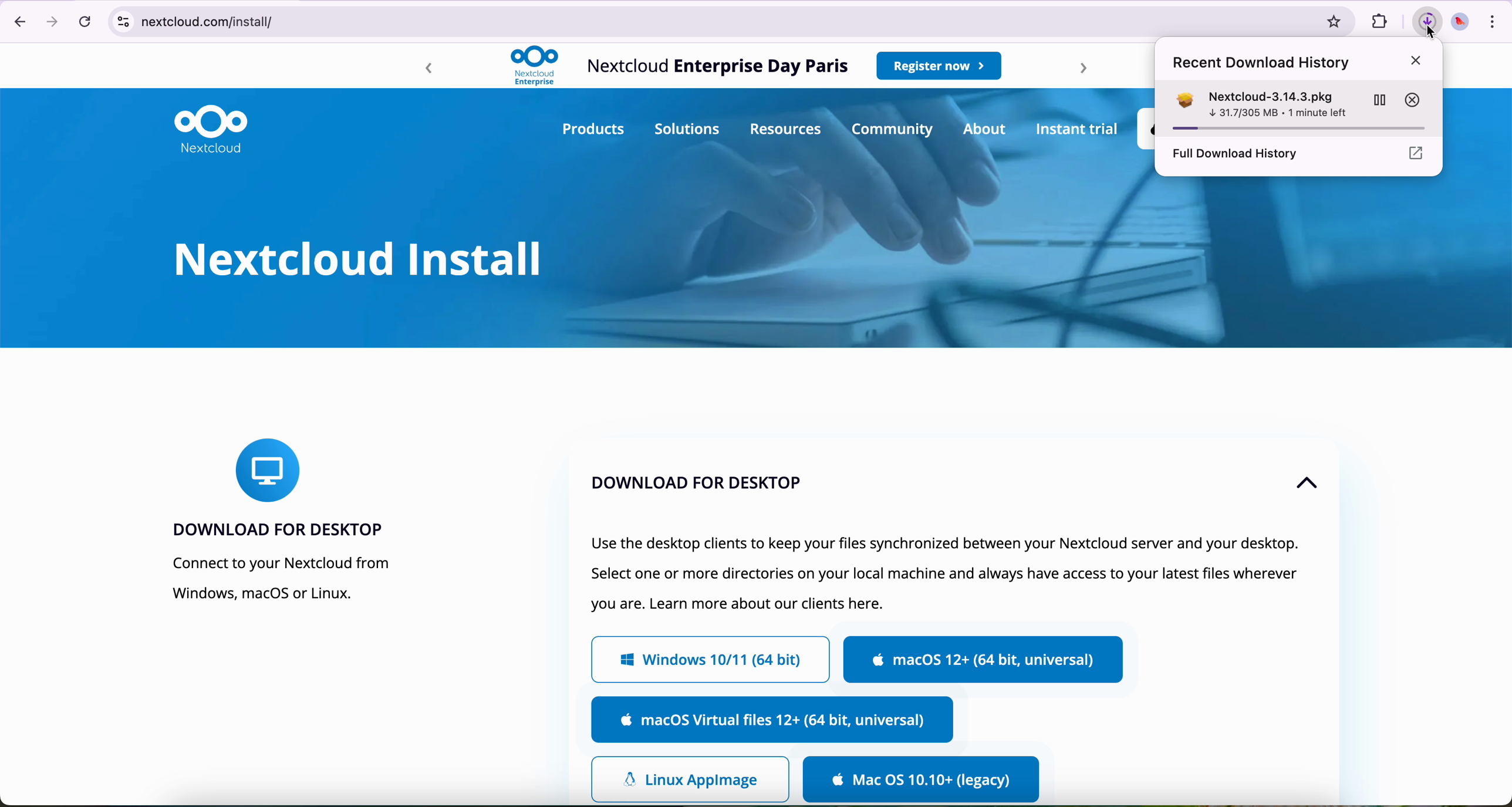  Describe the element at coordinates (951, 572) in the screenshot. I see `text of tab` at that location.